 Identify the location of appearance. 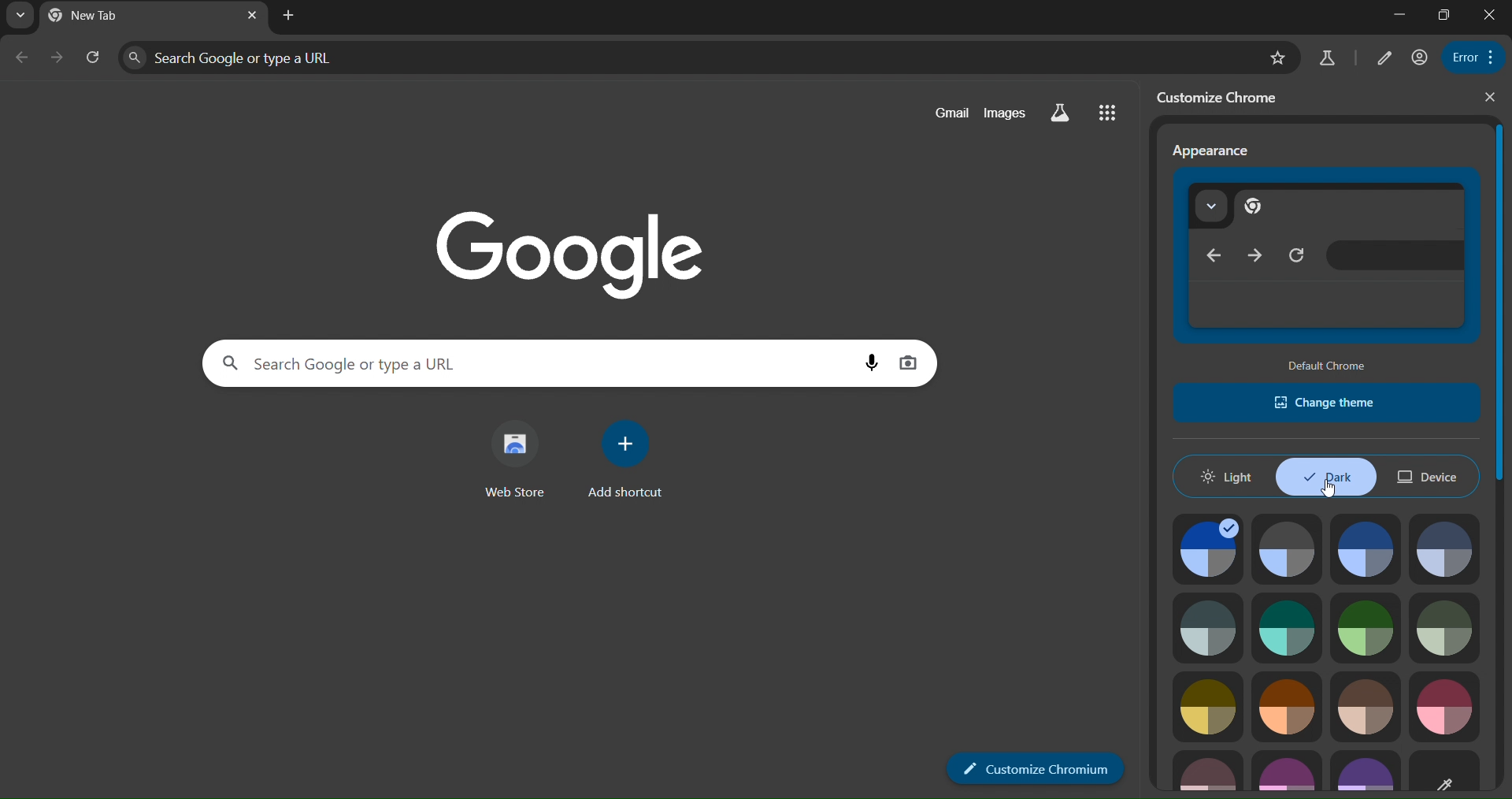
(1213, 152).